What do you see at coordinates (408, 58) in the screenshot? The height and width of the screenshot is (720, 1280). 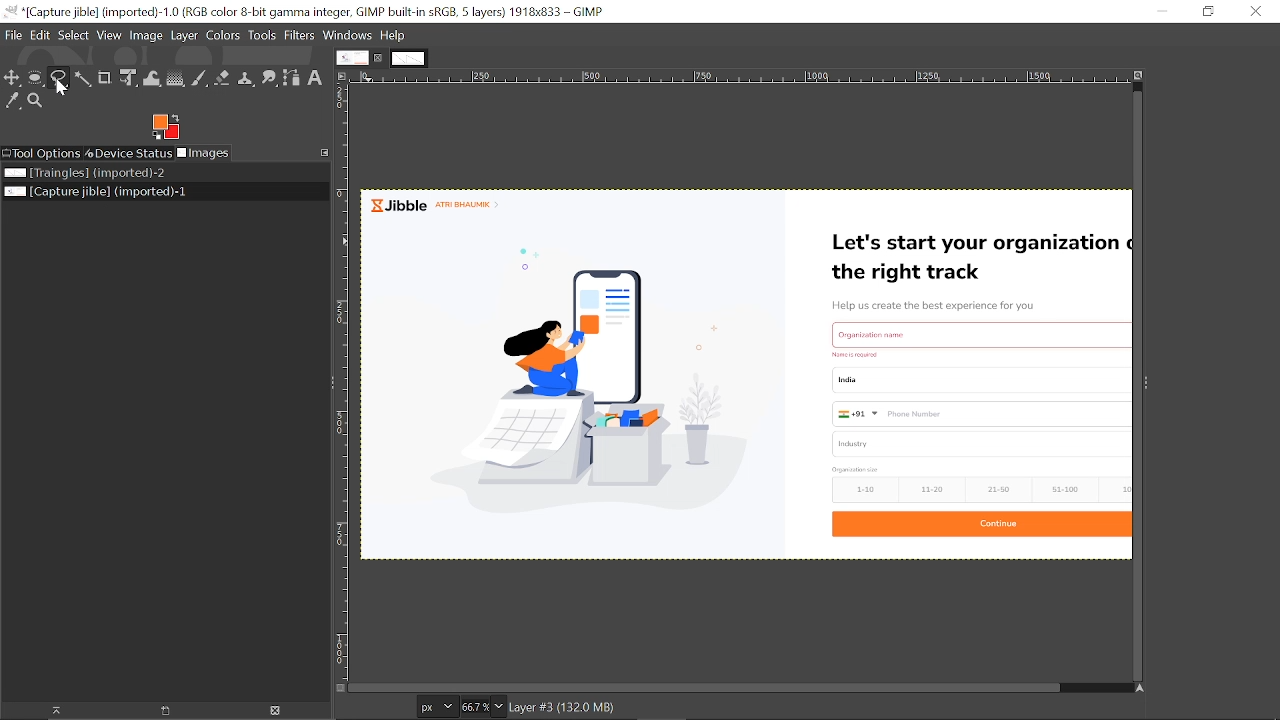 I see `Other tab` at bounding box center [408, 58].